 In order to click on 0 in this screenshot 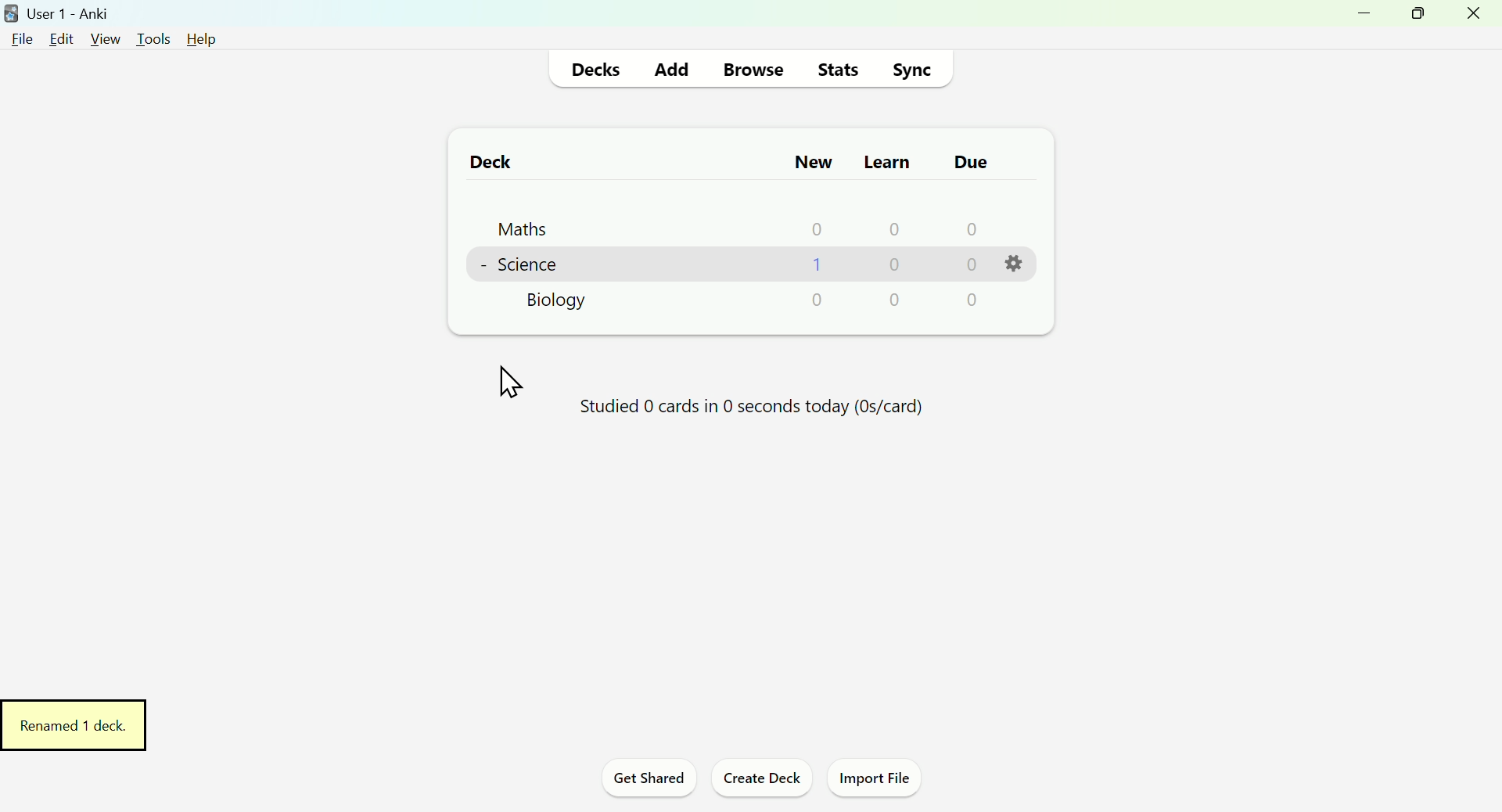, I will do `click(897, 266)`.